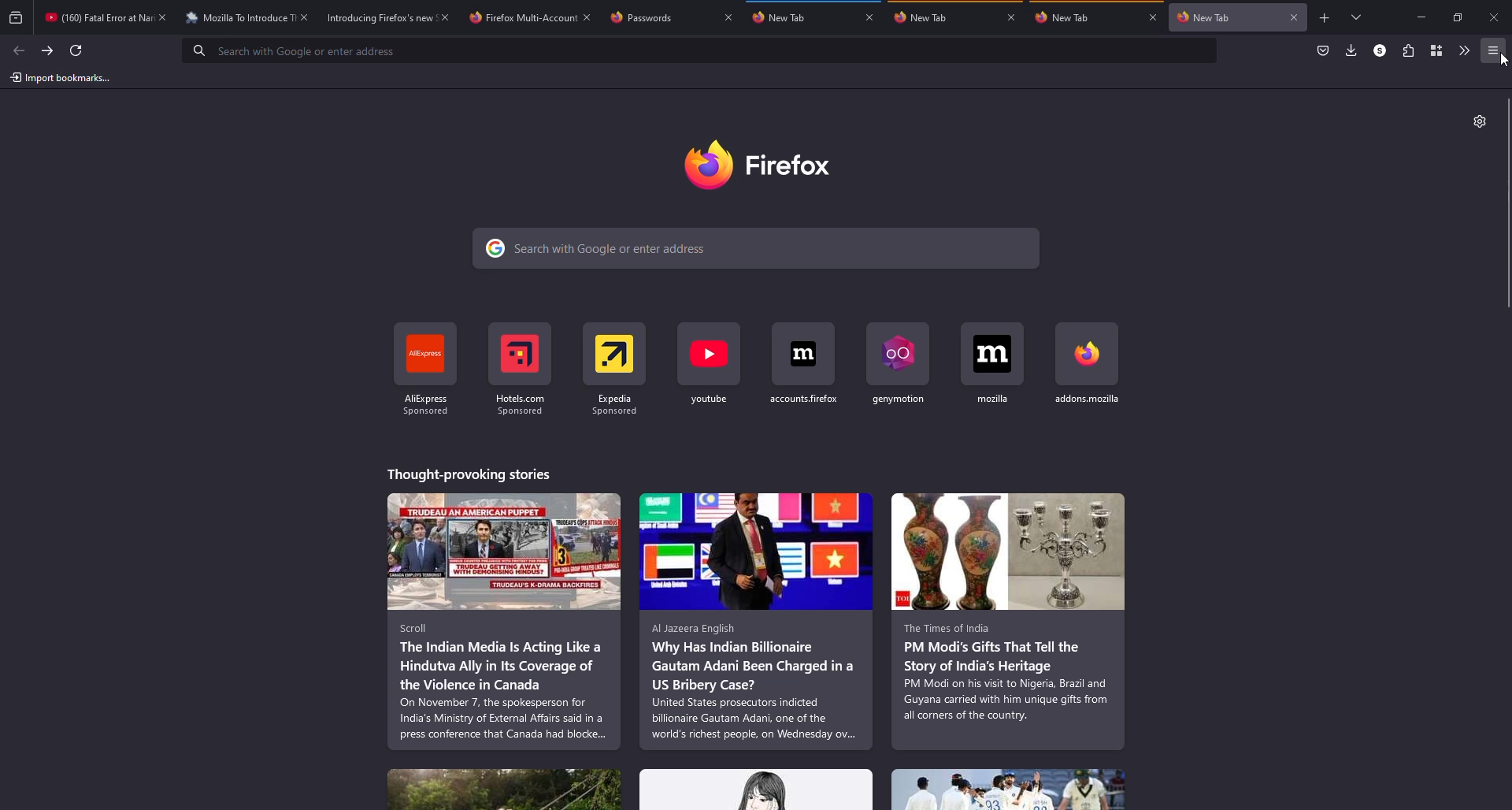 The width and height of the screenshot is (1512, 810). I want to click on tab, so click(379, 18).